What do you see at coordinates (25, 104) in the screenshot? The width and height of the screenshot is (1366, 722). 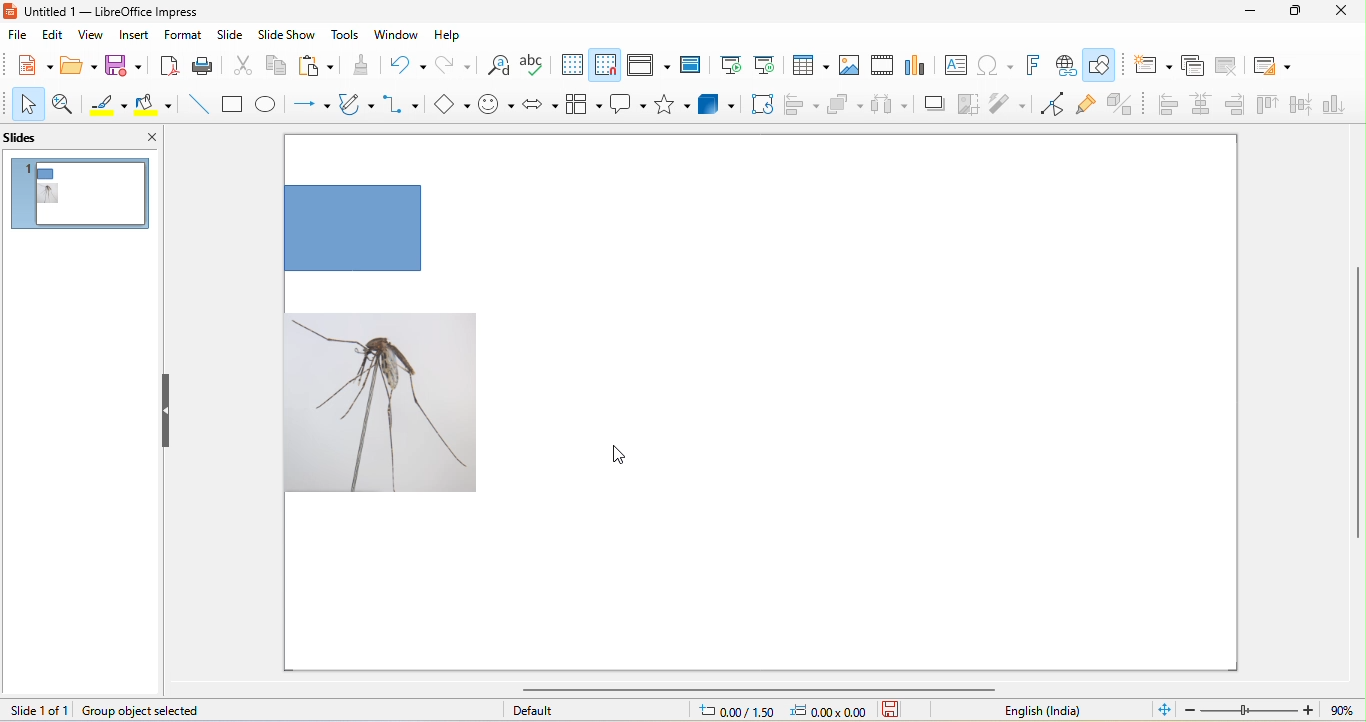 I see `select` at bounding box center [25, 104].